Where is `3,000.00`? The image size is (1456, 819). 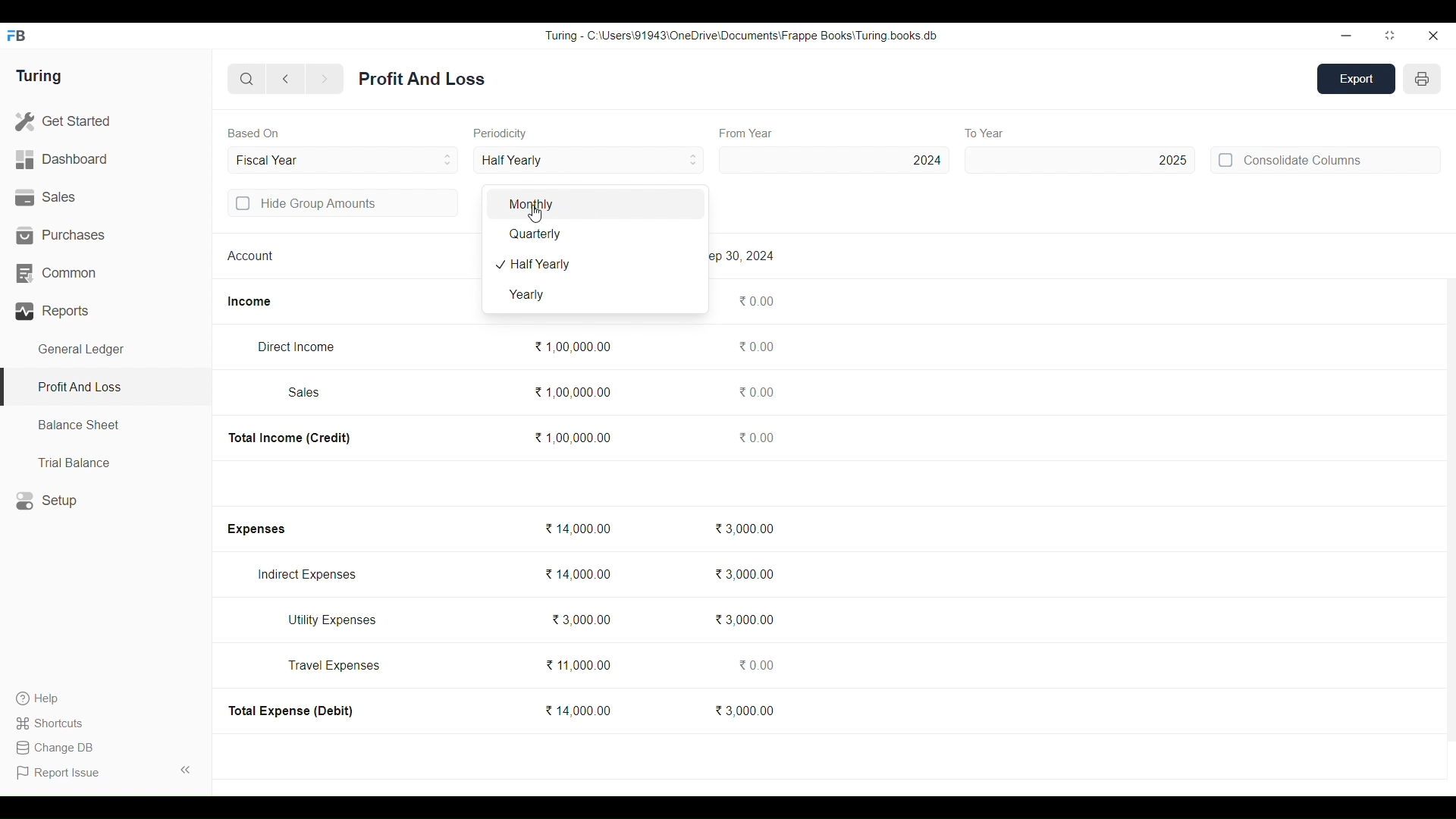 3,000.00 is located at coordinates (744, 574).